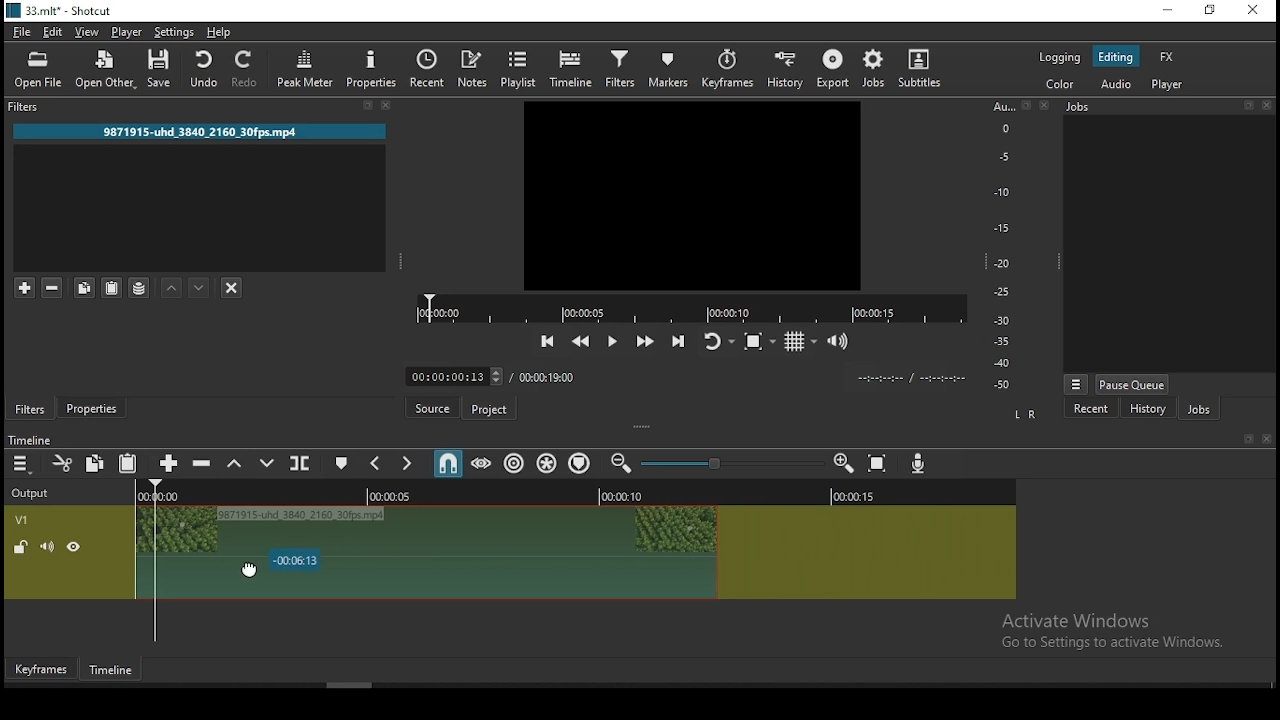  I want to click on close, so click(385, 105).